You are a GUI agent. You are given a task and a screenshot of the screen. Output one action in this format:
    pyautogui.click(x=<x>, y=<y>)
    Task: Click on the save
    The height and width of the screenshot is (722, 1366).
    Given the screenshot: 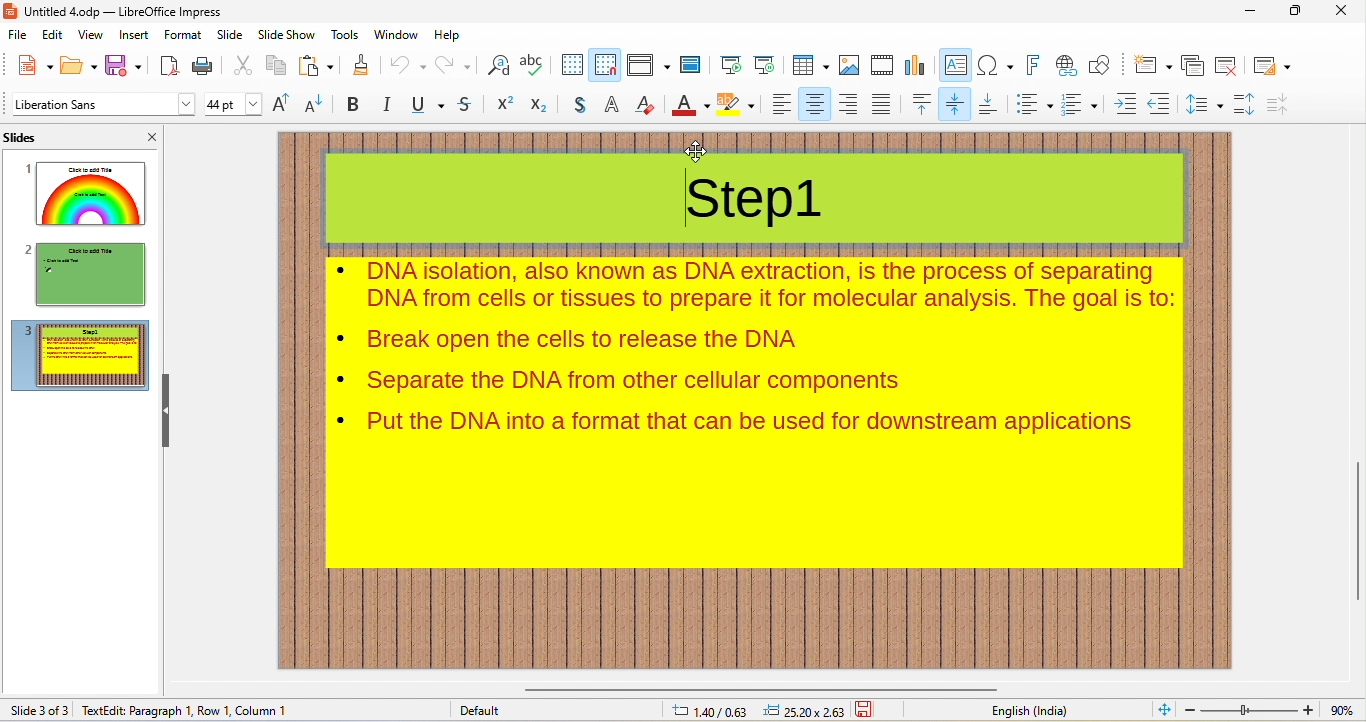 What is the action you would take?
    pyautogui.click(x=124, y=67)
    